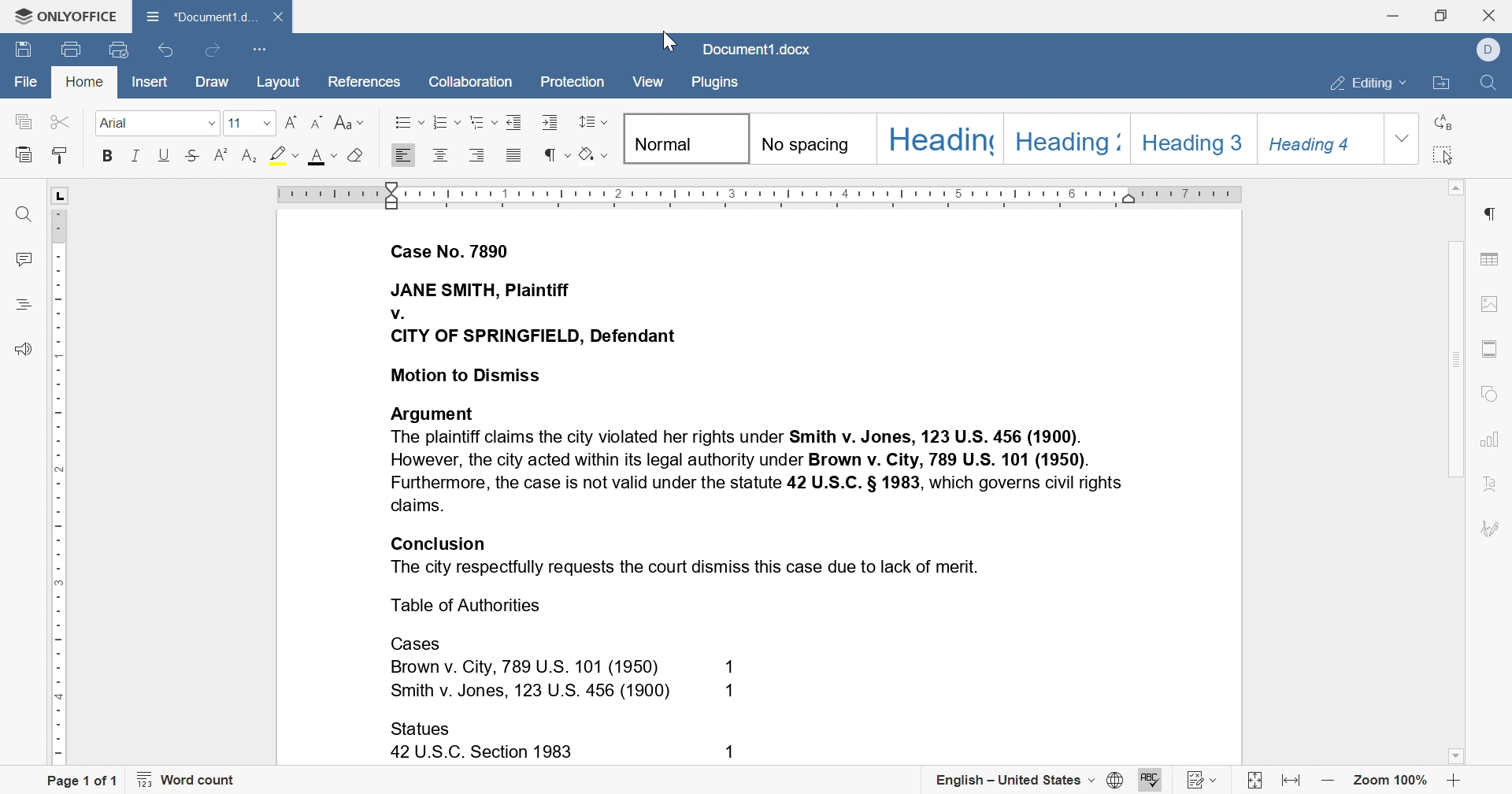 The height and width of the screenshot is (794, 1512). I want to click on fit to slide, so click(1254, 781).